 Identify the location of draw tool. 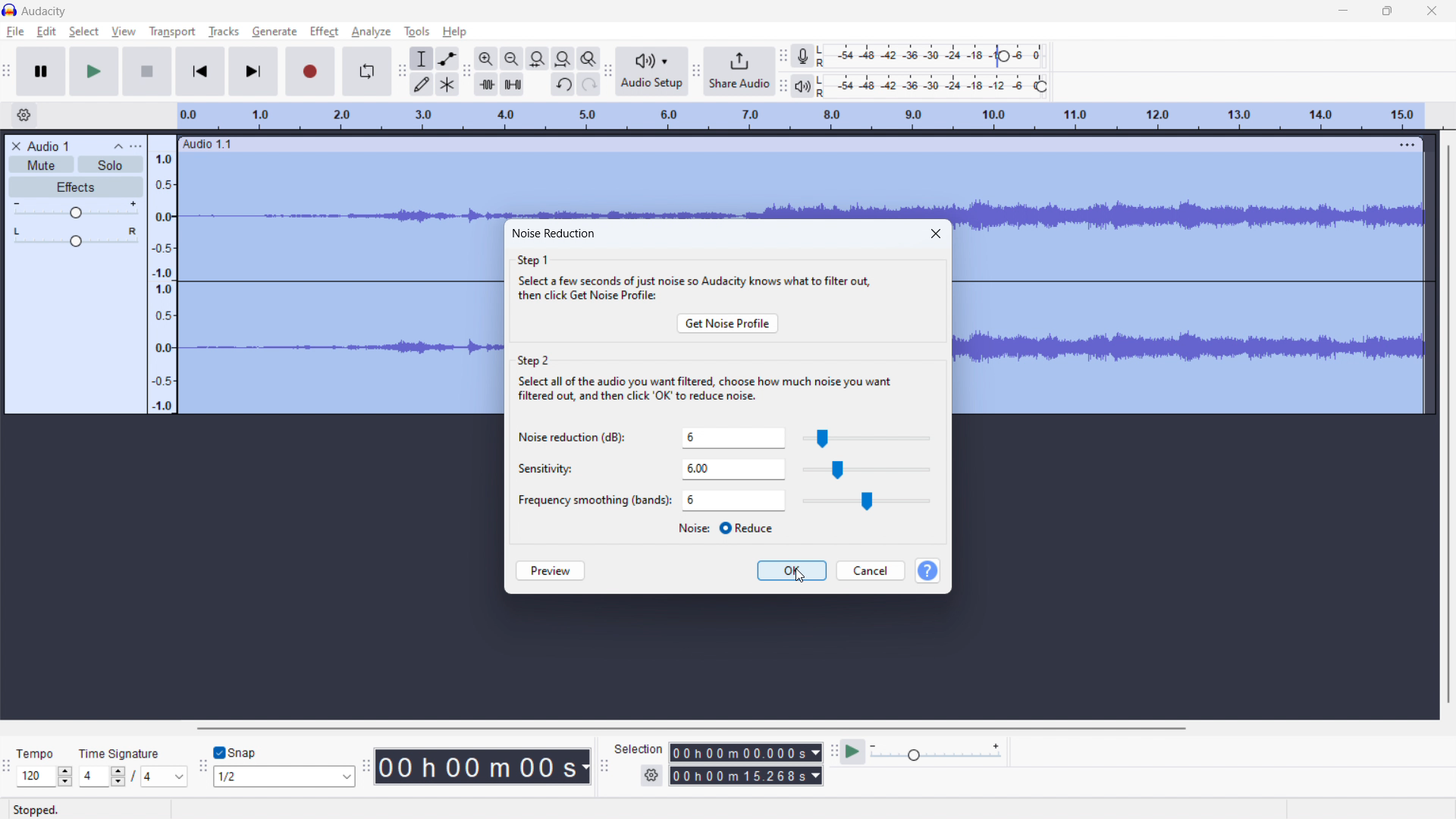
(422, 83).